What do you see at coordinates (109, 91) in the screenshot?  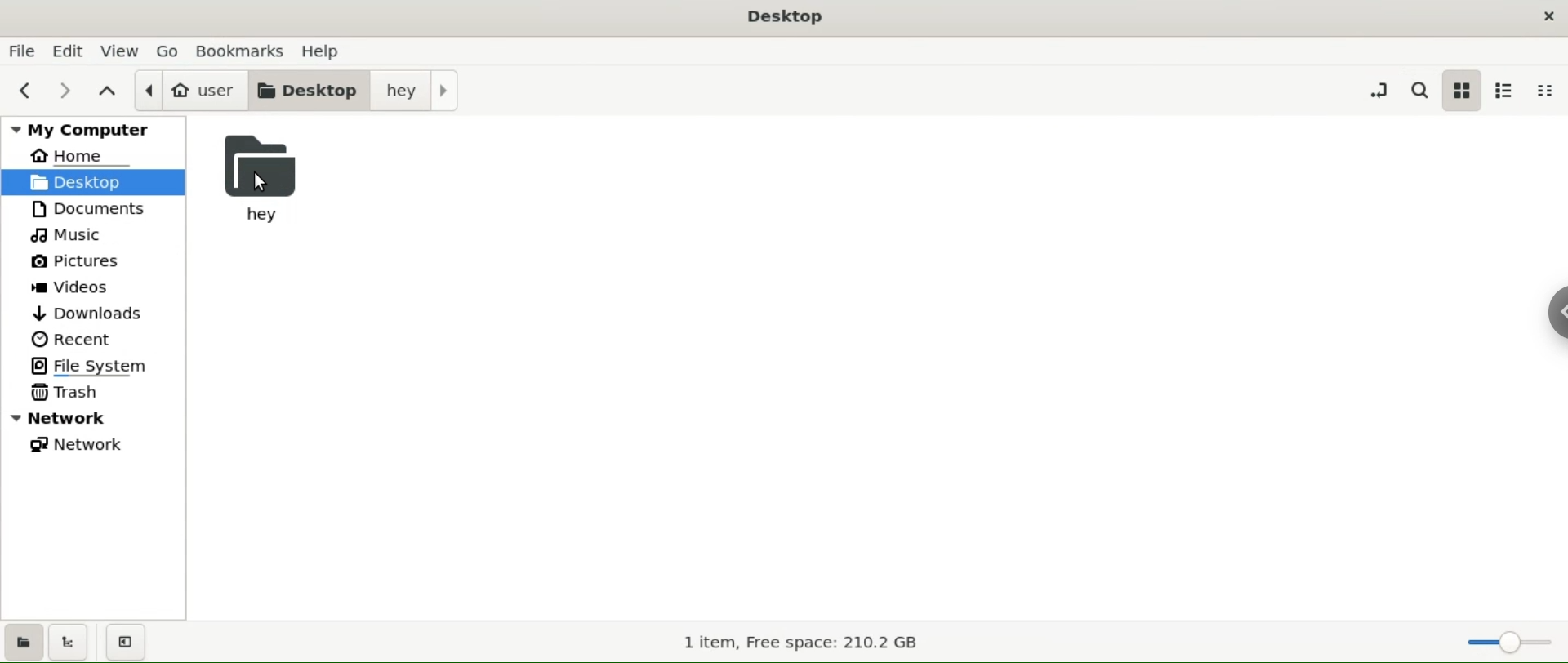 I see `parent folders` at bounding box center [109, 91].